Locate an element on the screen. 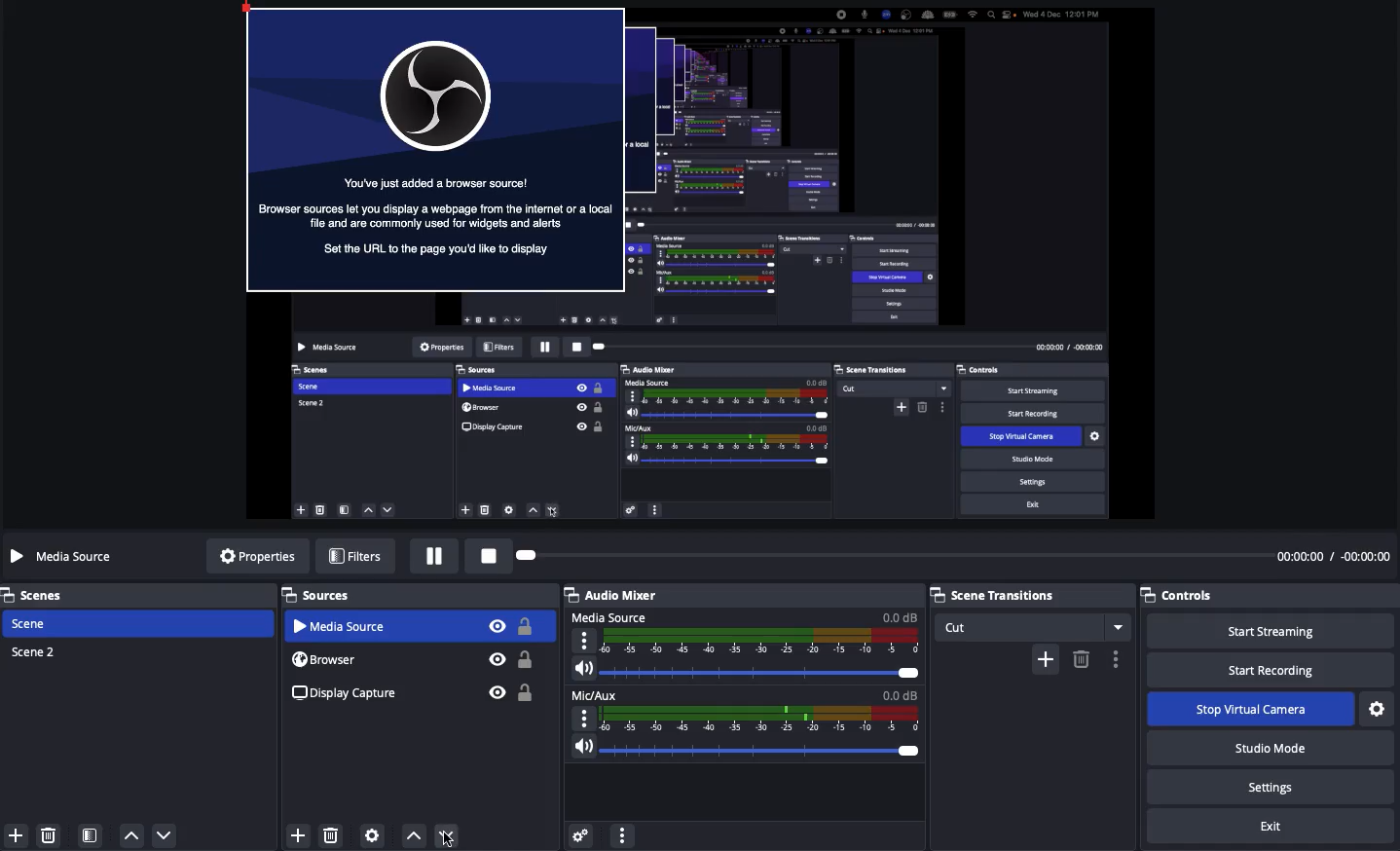 The width and height of the screenshot is (1400, 851). Media source is located at coordinates (66, 558).